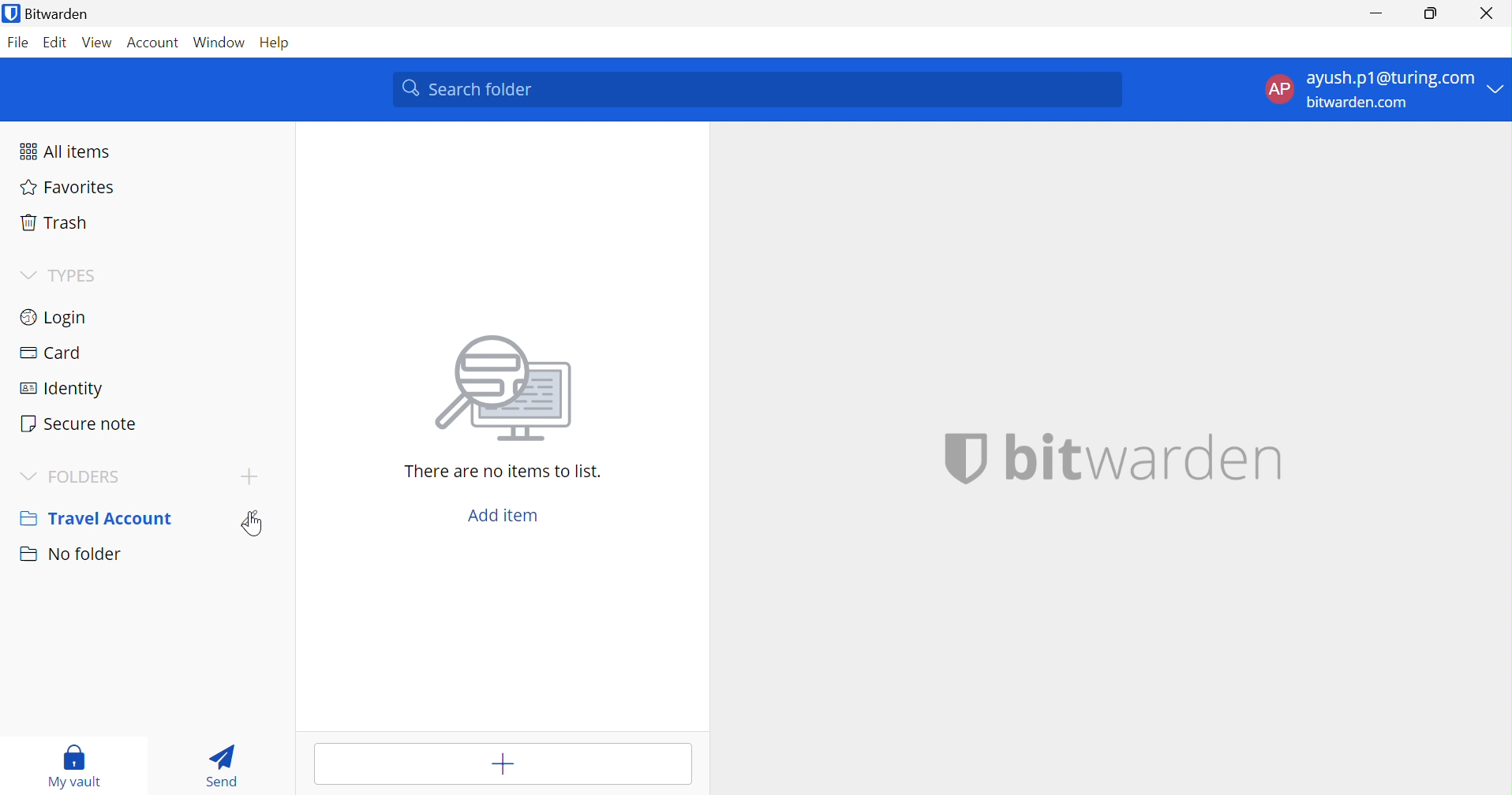  Describe the element at coordinates (94, 476) in the screenshot. I see `FOLDERS` at that location.